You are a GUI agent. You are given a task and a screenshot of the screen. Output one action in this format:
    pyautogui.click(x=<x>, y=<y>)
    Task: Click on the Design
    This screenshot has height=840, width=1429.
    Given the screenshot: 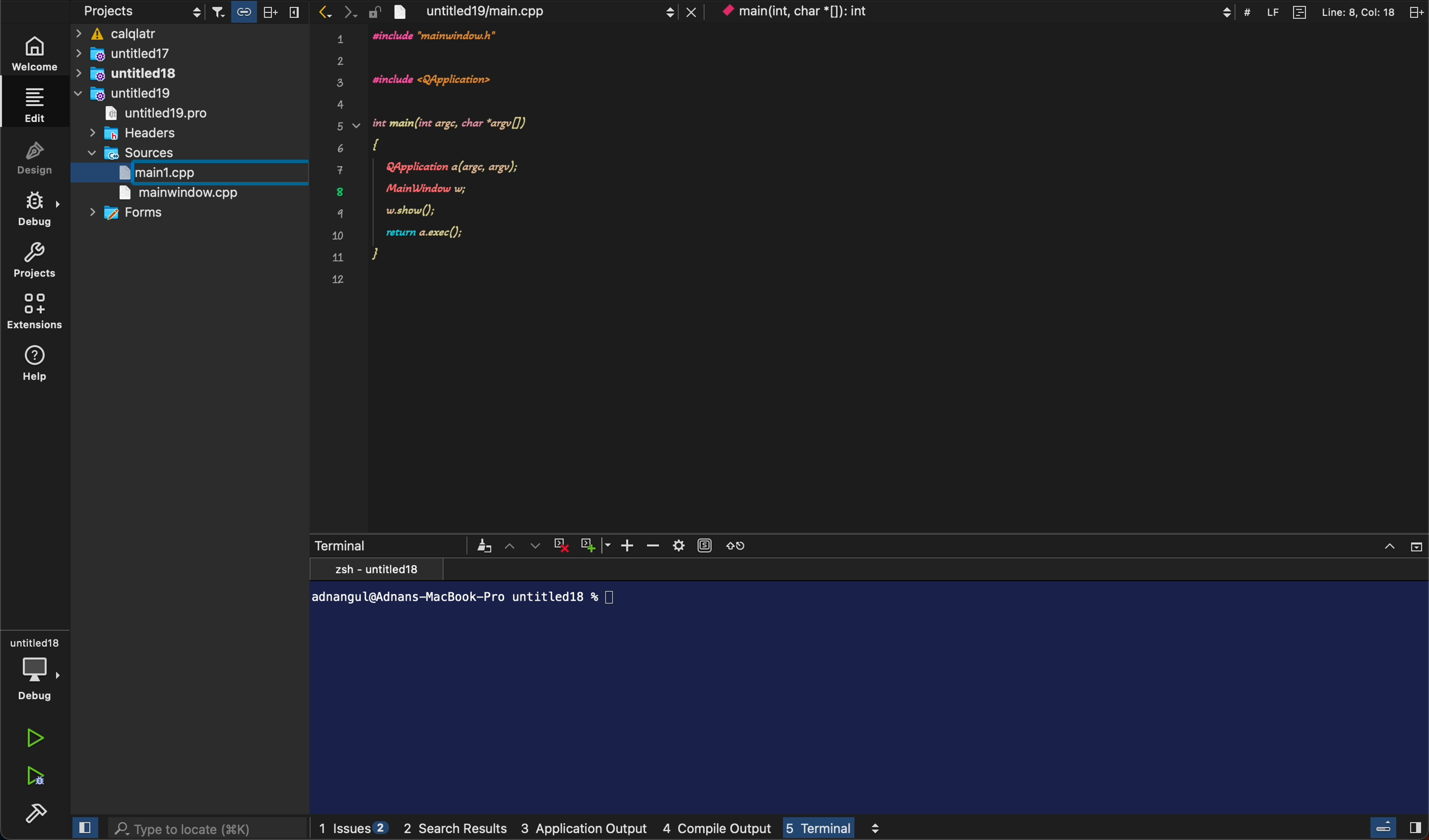 What is the action you would take?
    pyautogui.click(x=44, y=162)
    